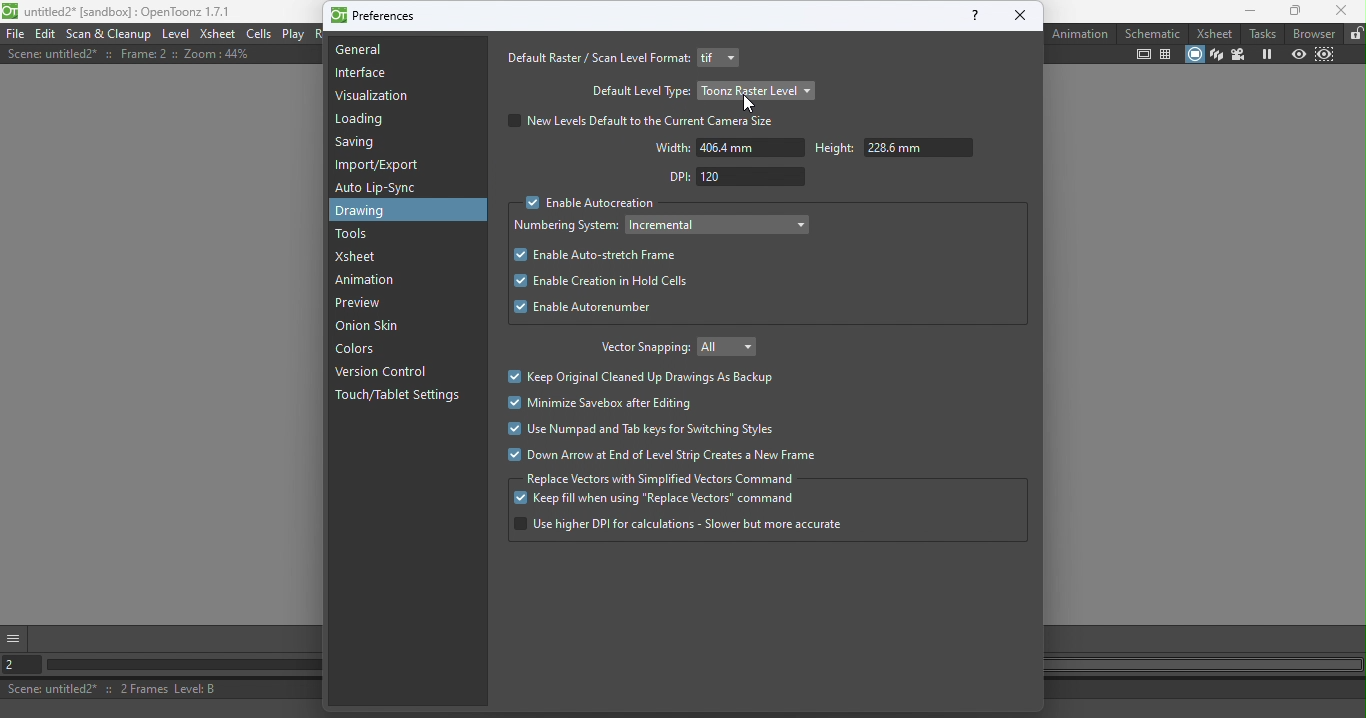 Image resolution: width=1366 pixels, height=718 pixels. What do you see at coordinates (118, 11) in the screenshot?
I see `untitled2* [sandbox] : OpenToonz 1.7.1` at bounding box center [118, 11].